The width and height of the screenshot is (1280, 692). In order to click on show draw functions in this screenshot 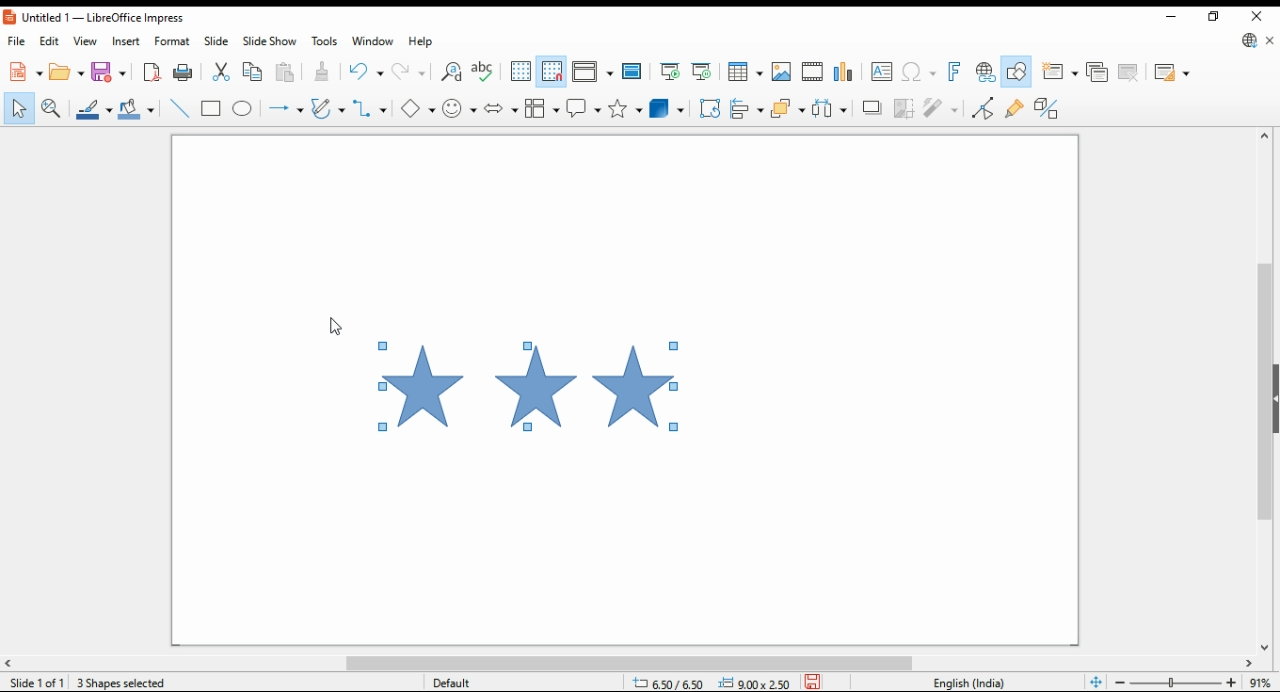, I will do `click(1015, 71)`.